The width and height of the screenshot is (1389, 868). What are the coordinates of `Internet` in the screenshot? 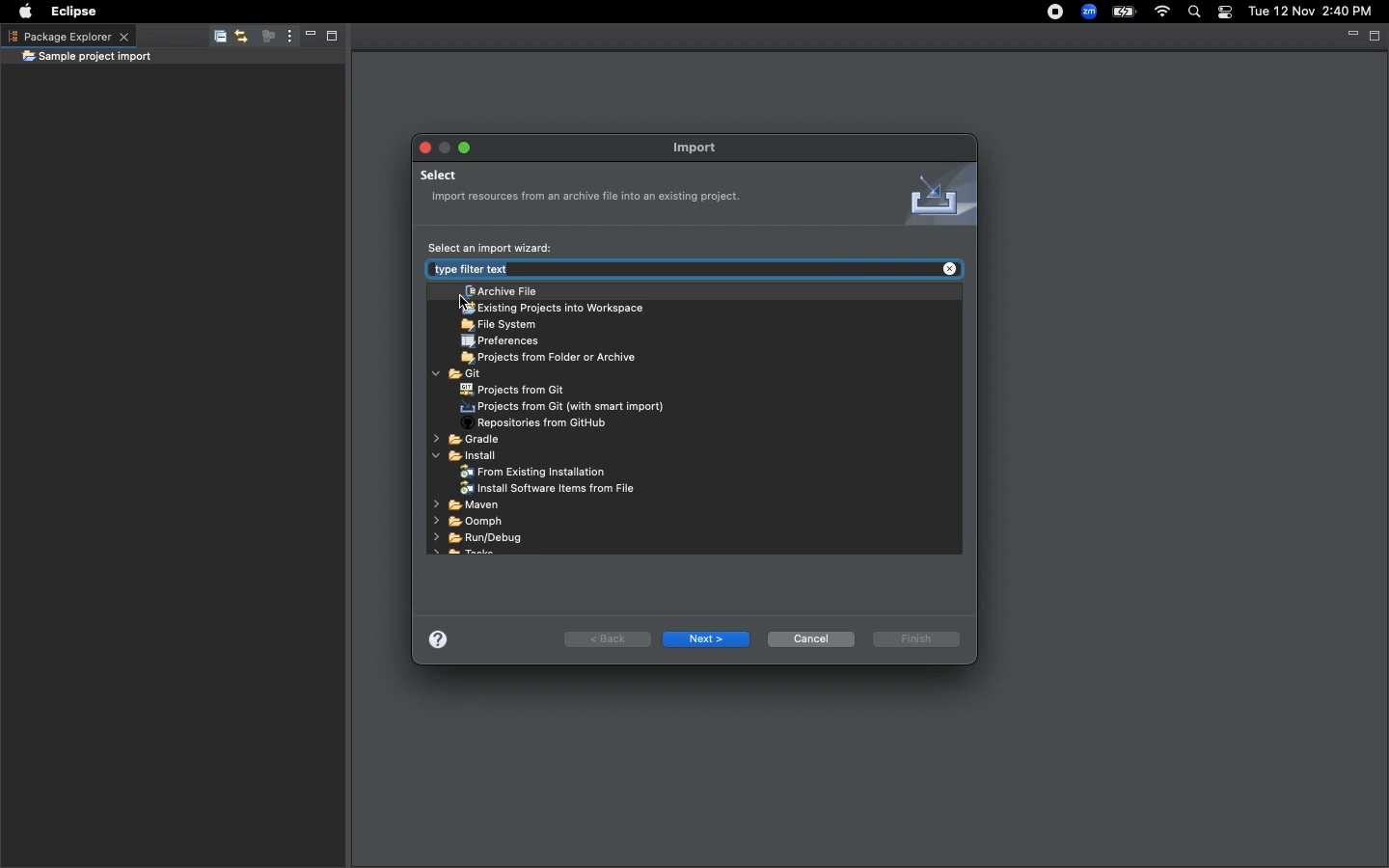 It's located at (1162, 13).